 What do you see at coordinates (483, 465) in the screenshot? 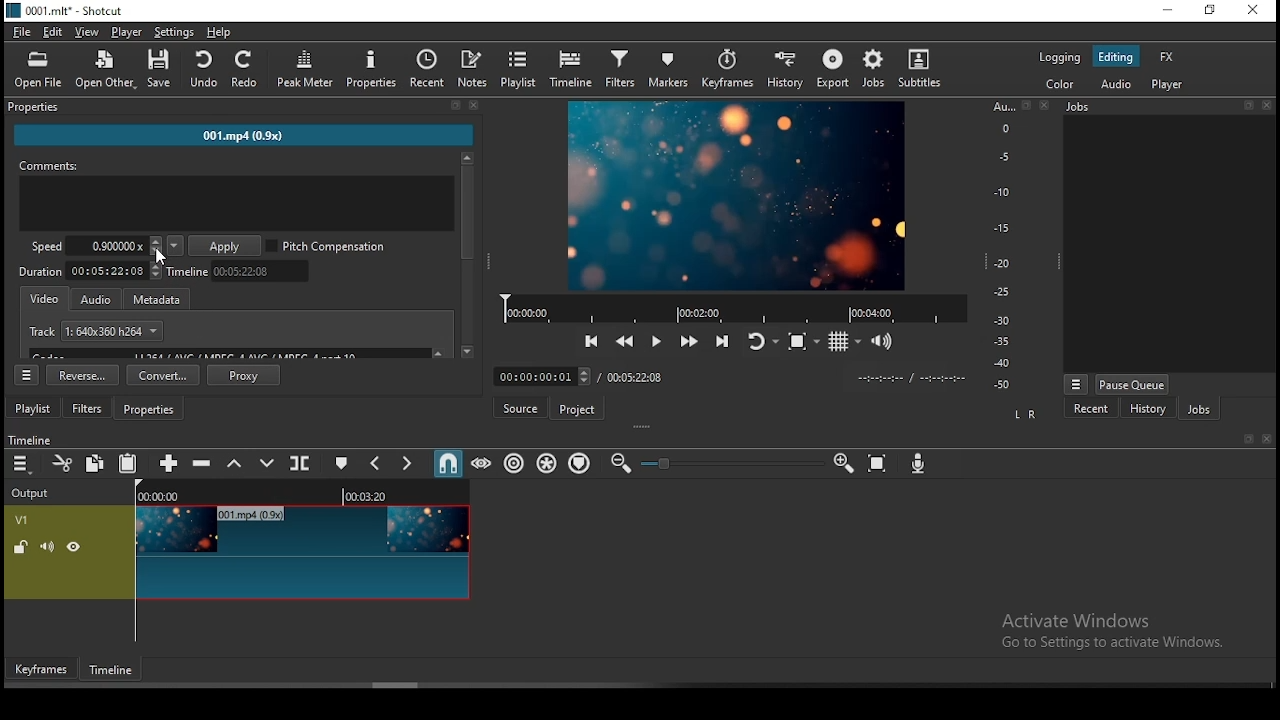
I see `scrub while dragging` at bounding box center [483, 465].